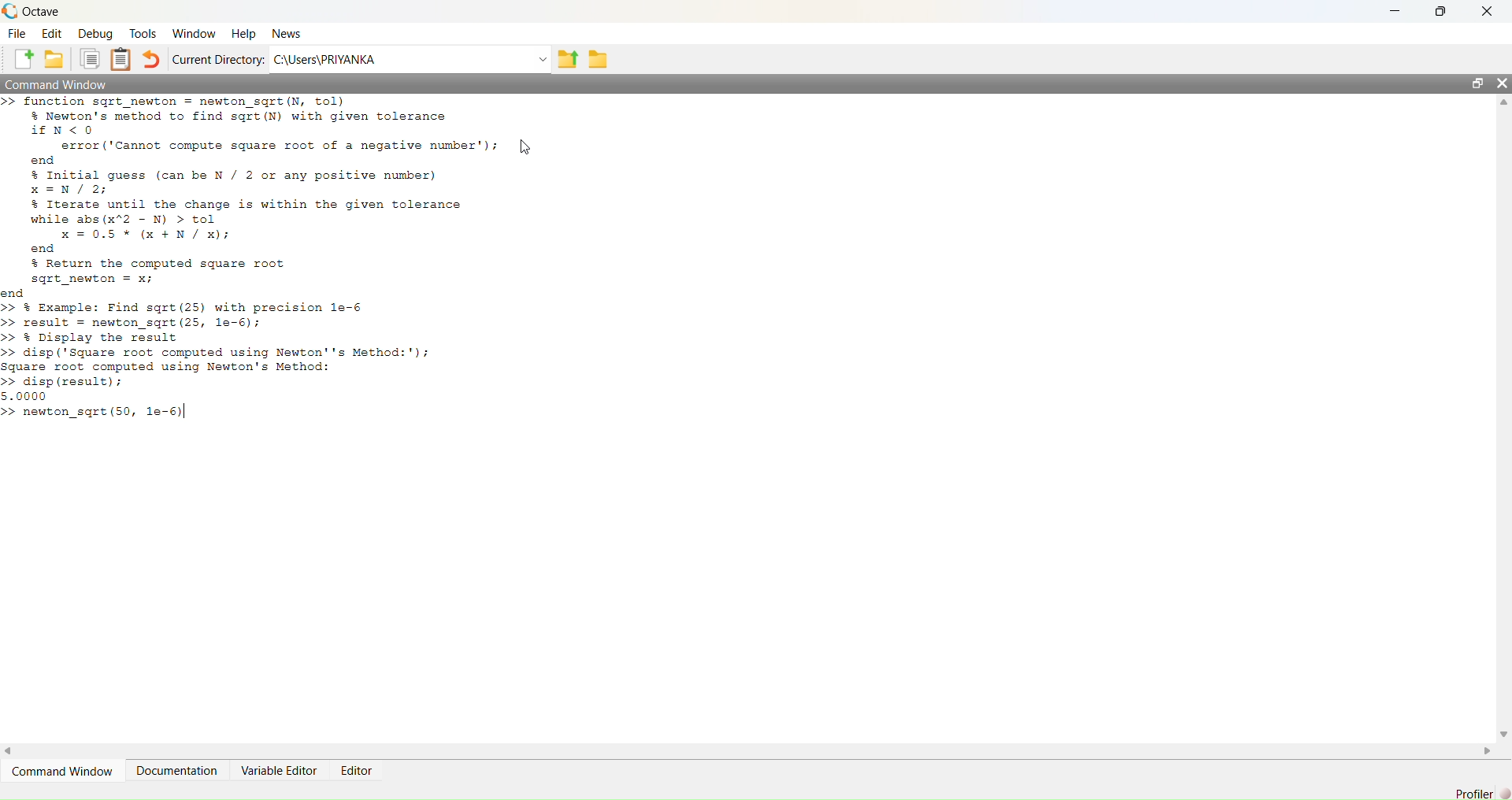 This screenshot has height=800, width=1512. Describe the element at coordinates (122, 59) in the screenshot. I see `Paste` at that location.